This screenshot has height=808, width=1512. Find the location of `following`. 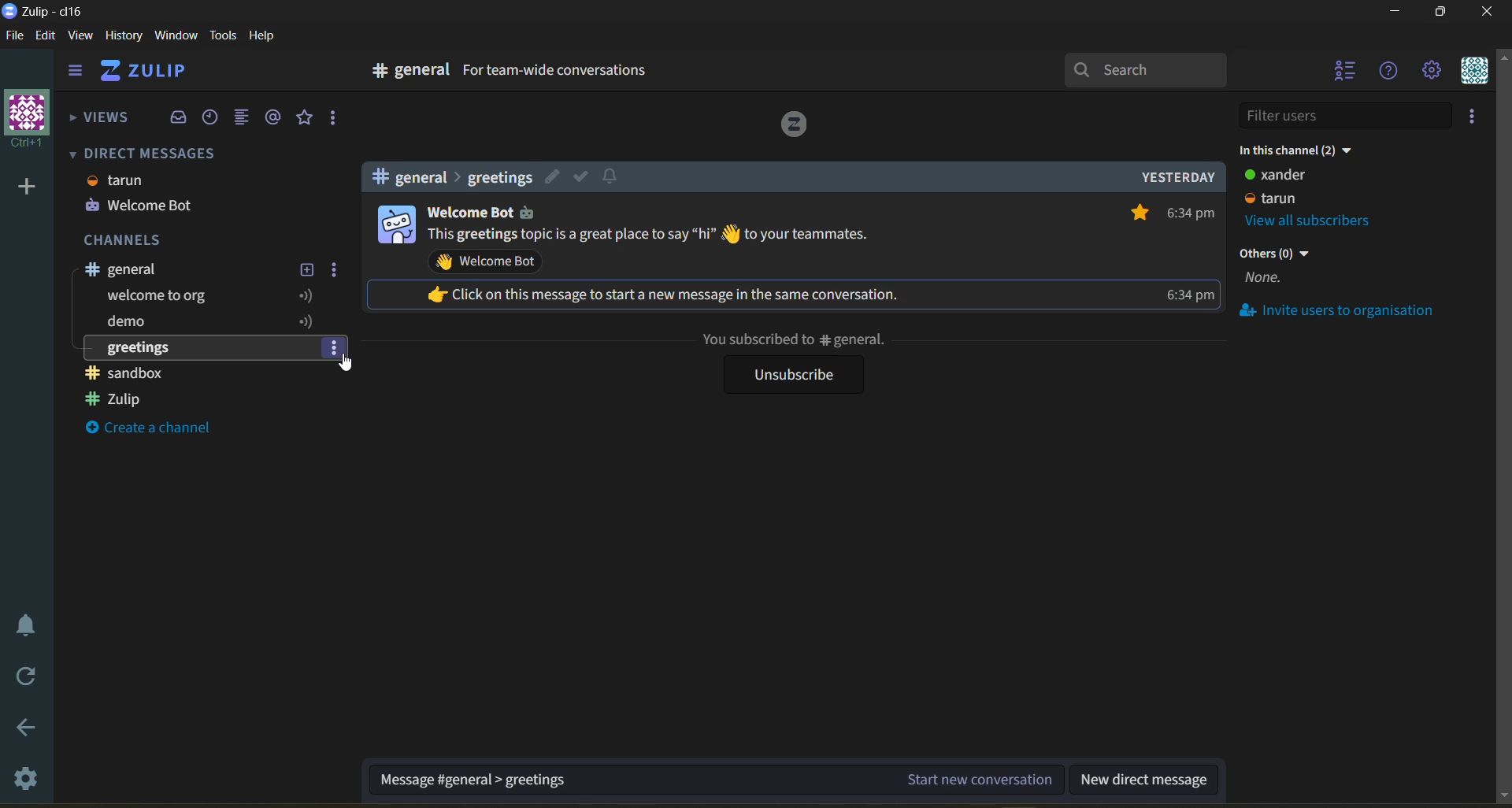

following is located at coordinates (305, 308).